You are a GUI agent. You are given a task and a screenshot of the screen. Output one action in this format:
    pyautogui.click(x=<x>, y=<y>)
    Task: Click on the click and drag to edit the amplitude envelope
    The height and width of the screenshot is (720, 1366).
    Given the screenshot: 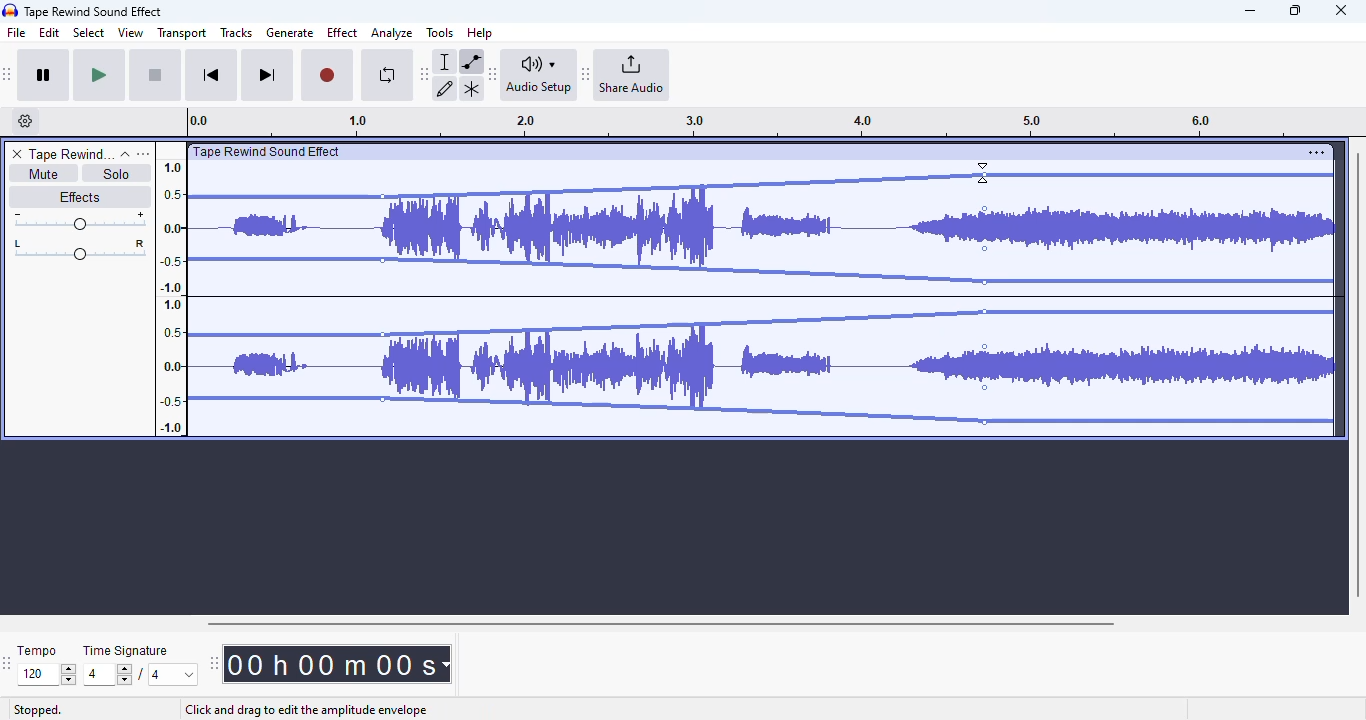 What is the action you would take?
    pyautogui.click(x=306, y=710)
    